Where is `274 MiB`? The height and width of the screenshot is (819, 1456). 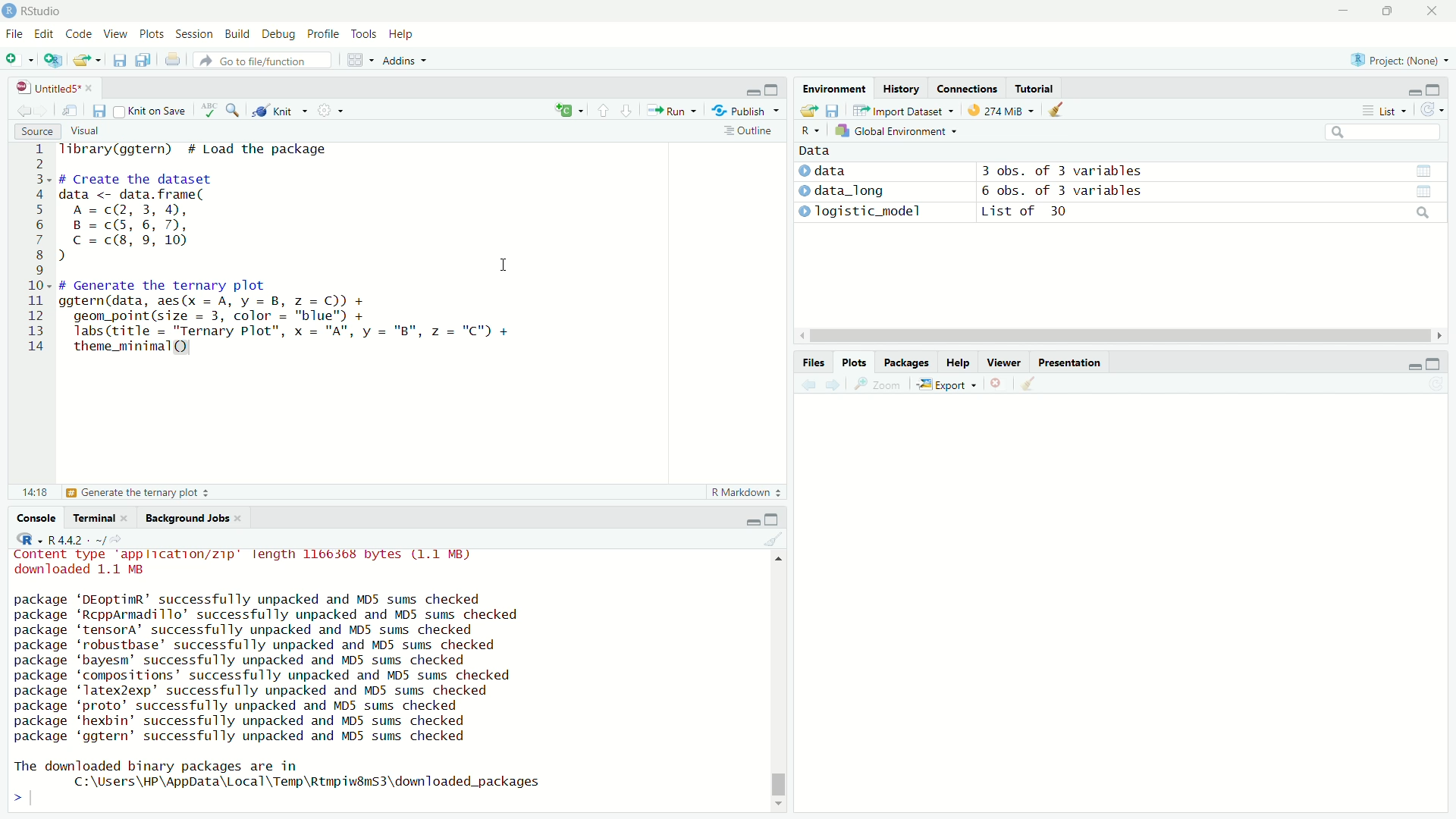 274 MiB is located at coordinates (996, 111).